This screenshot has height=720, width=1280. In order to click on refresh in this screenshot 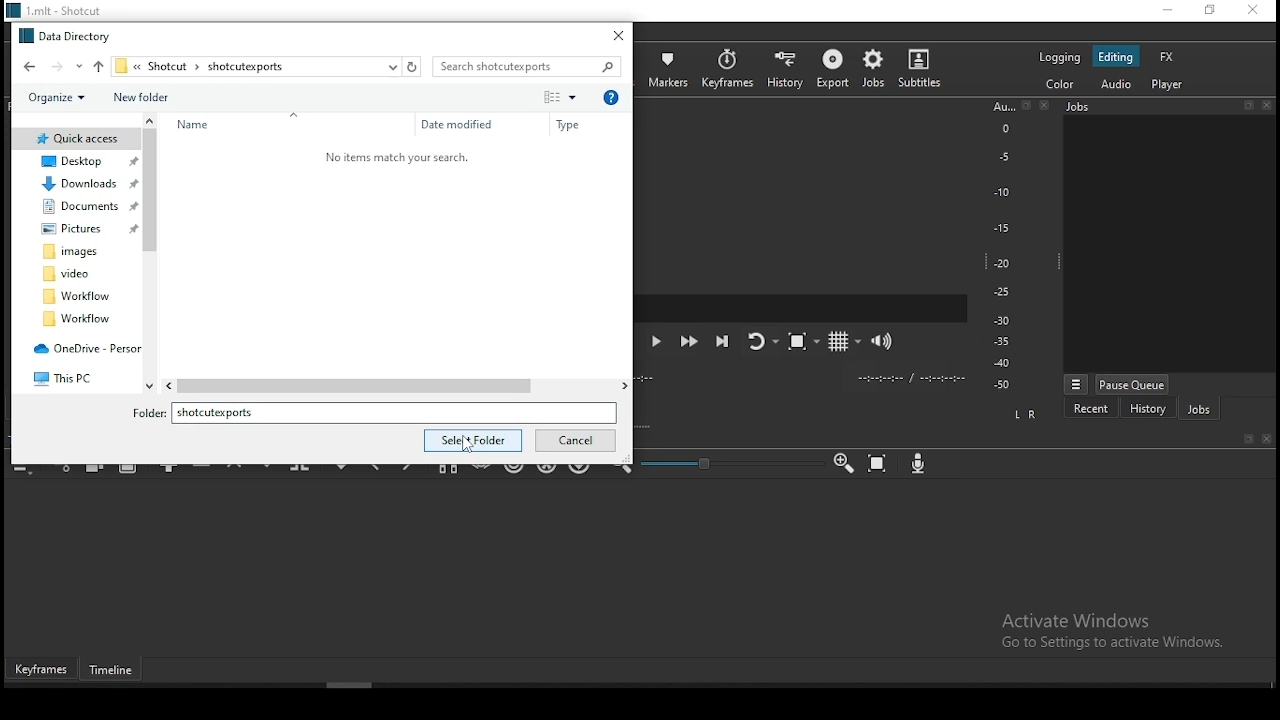, I will do `click(411, 67)`.